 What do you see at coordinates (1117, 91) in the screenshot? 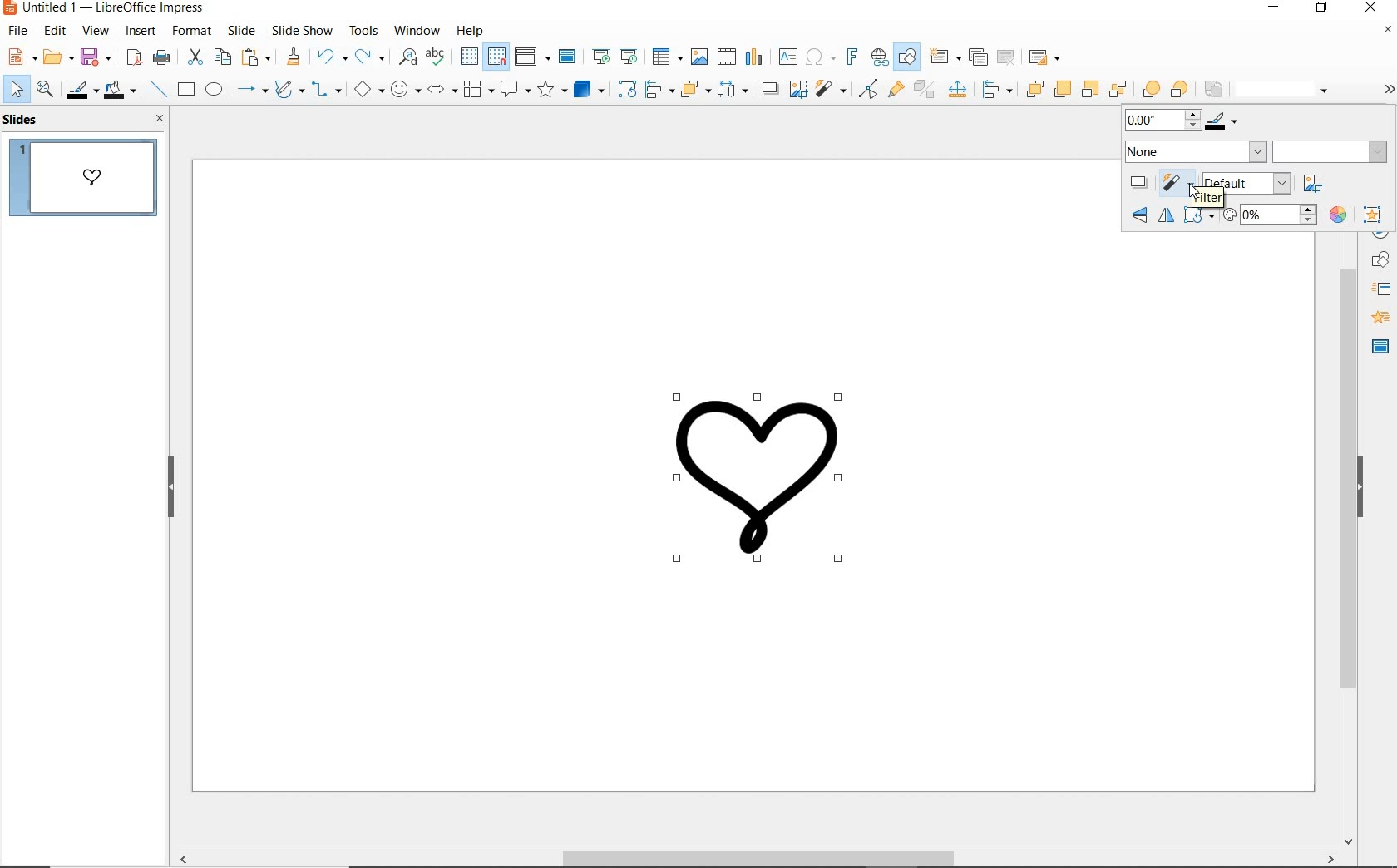
I see `send to back` at bounding box center [1117, 91].